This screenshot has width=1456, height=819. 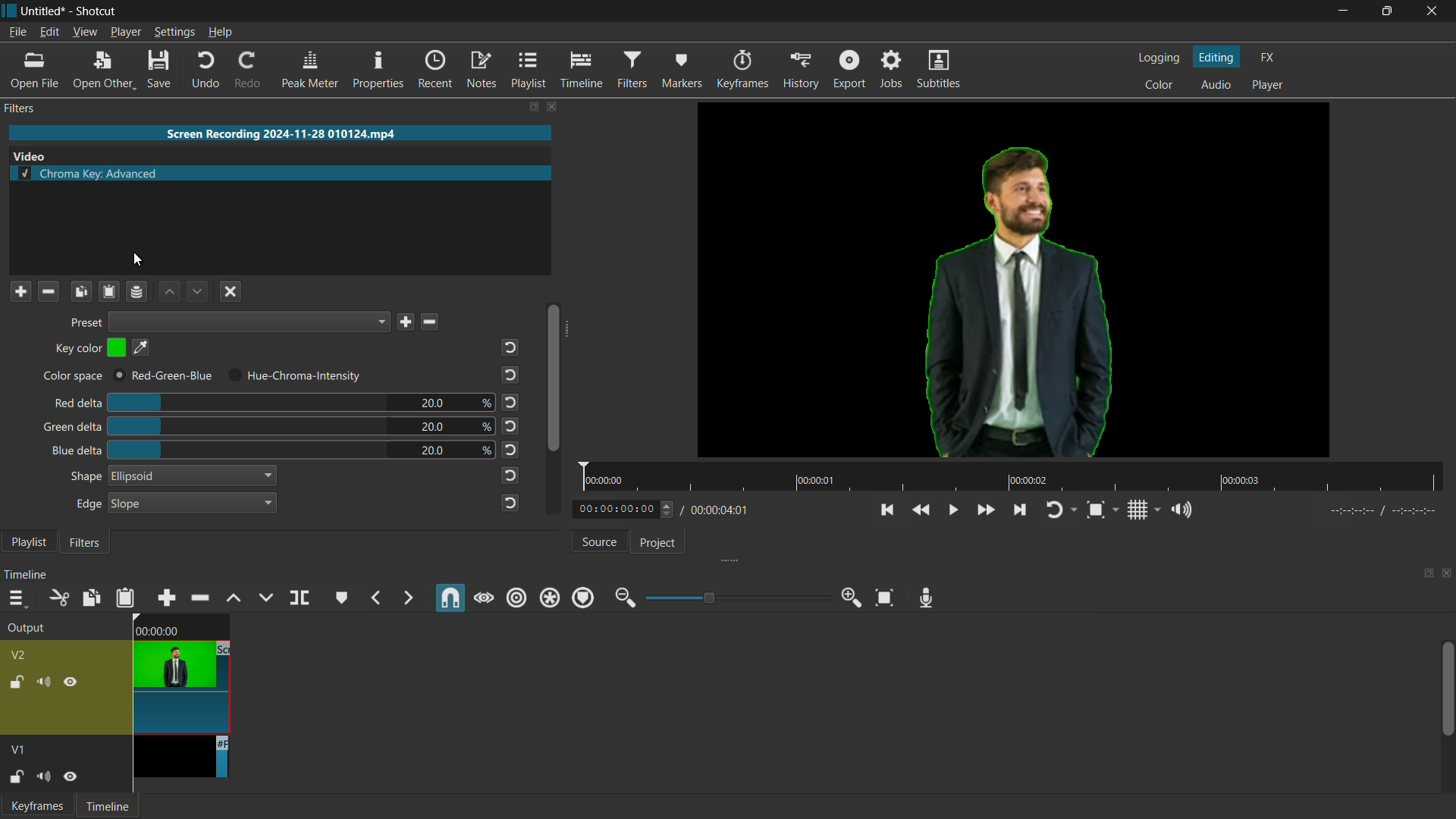 I want to click on jobs, so click(x=890, y=71).